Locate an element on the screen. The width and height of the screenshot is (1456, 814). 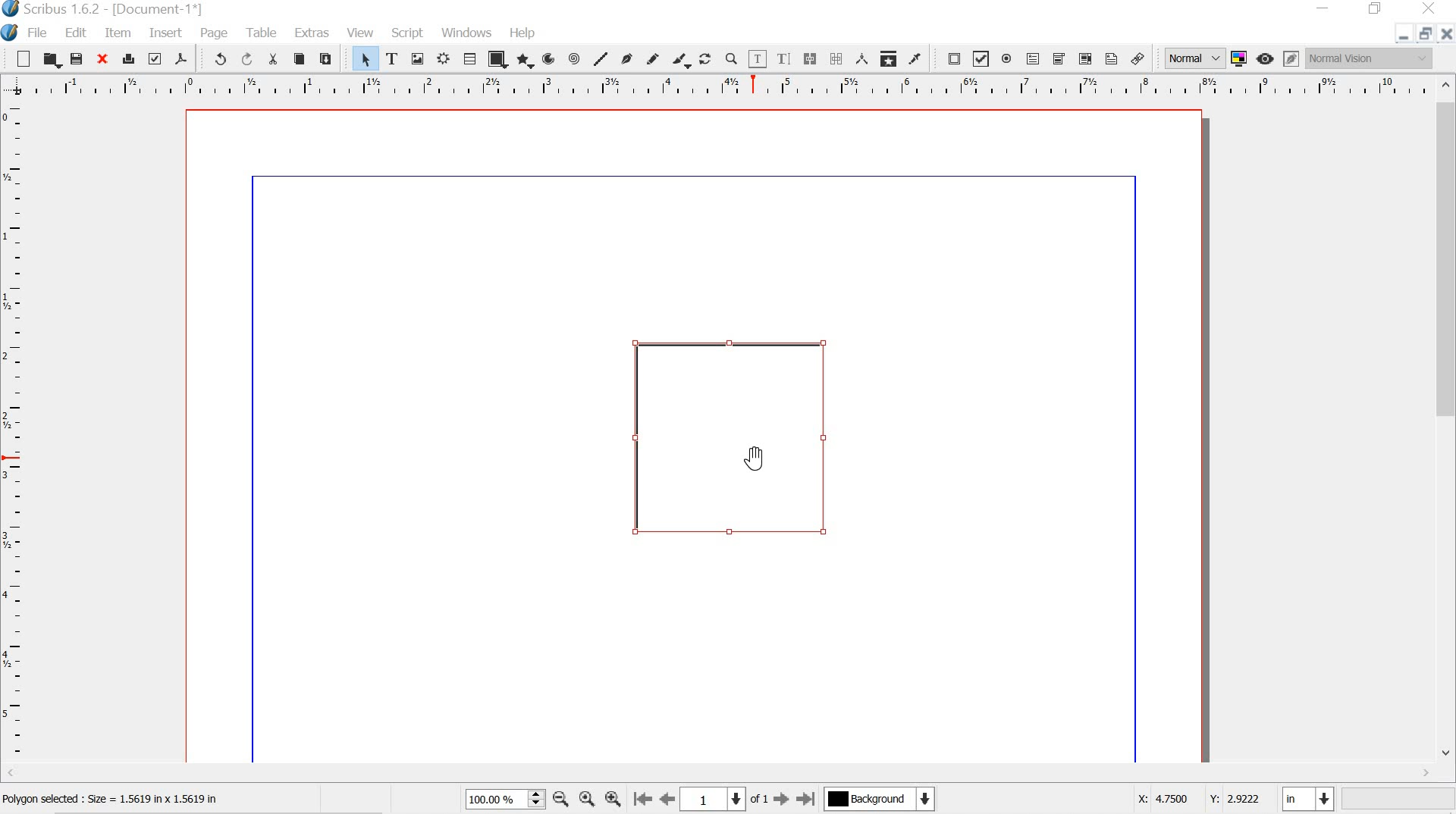
selected shape is located at coordinates (733, 443).